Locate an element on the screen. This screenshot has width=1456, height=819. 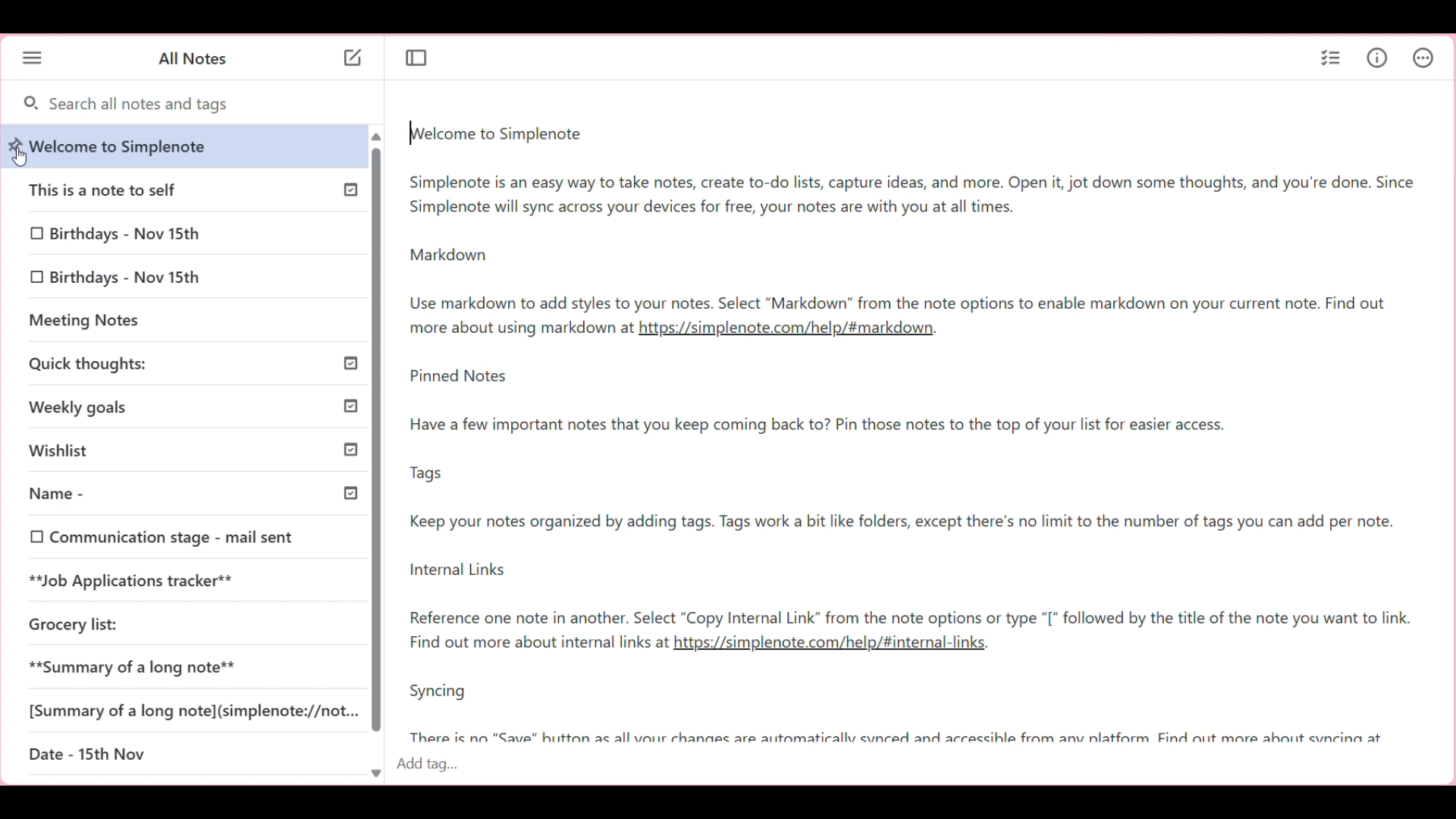
Find out more about internal links at is located at coordinates (538, 644).